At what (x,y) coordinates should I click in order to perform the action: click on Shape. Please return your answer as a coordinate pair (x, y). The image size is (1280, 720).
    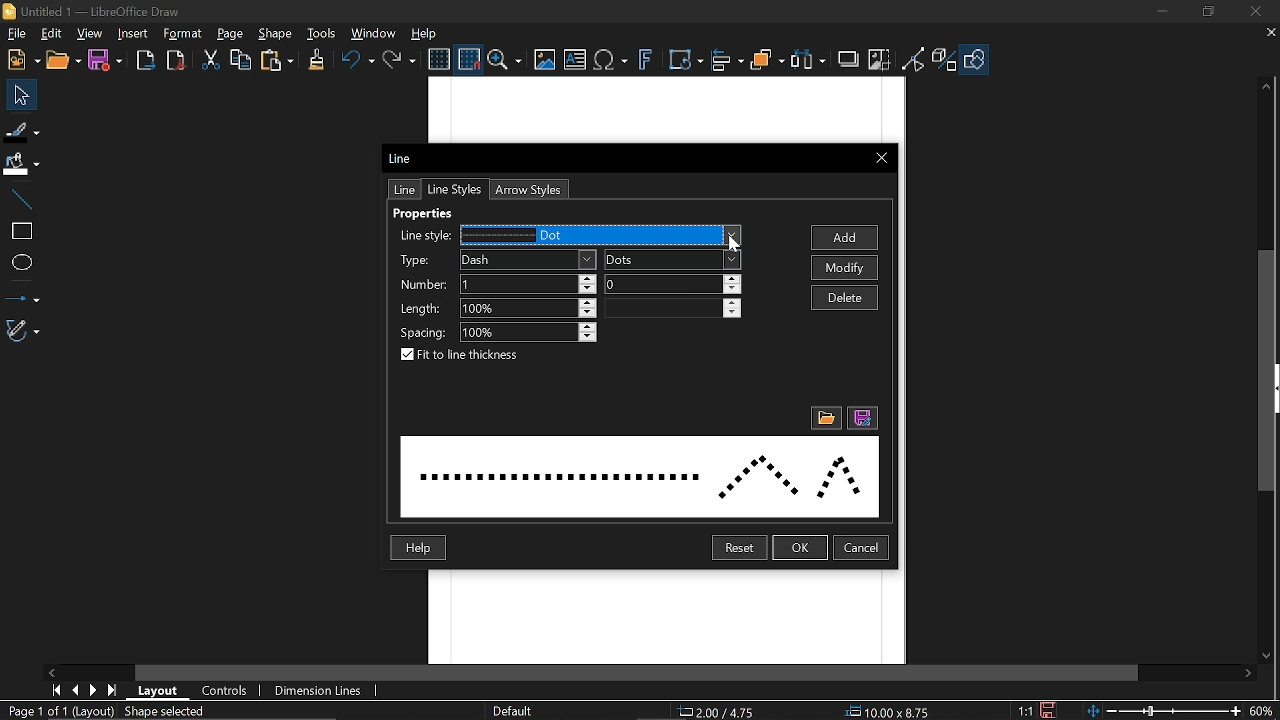
    Looking at the image, I should click on (275, 35).